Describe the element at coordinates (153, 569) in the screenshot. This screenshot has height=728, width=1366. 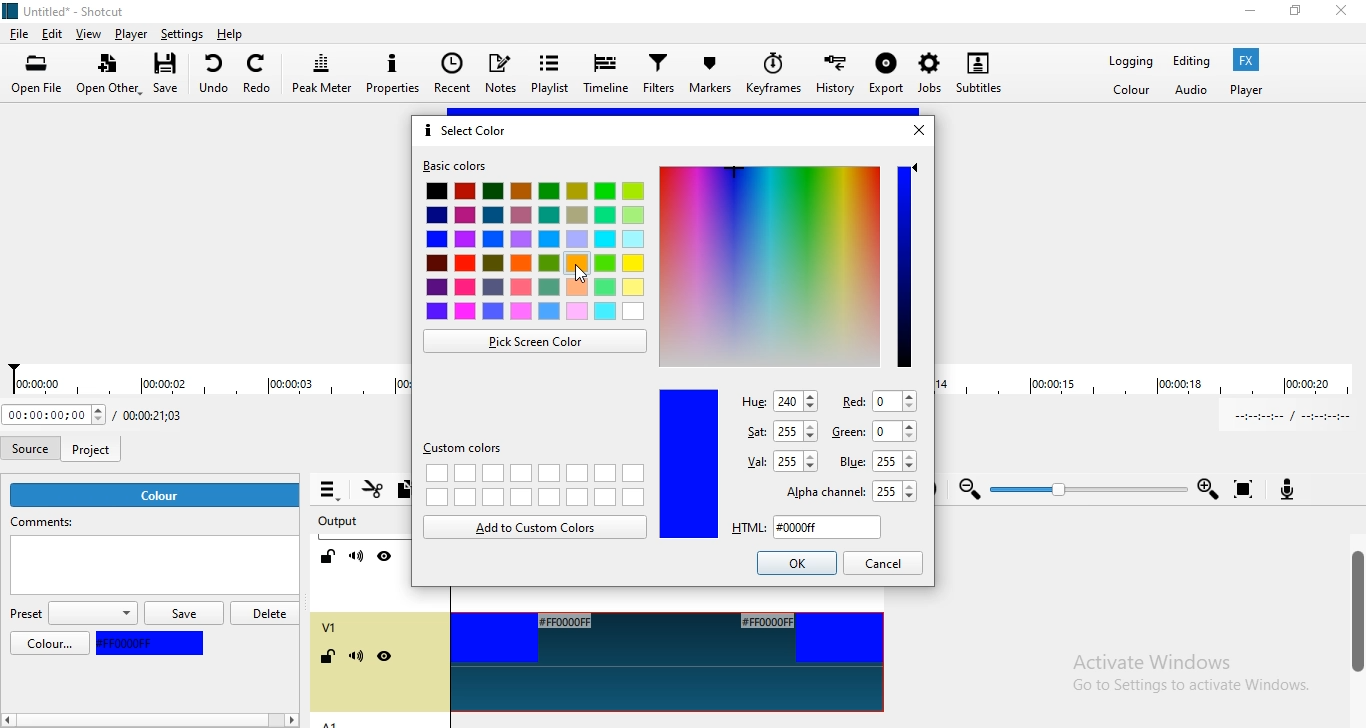
I see `empty box` at that location.